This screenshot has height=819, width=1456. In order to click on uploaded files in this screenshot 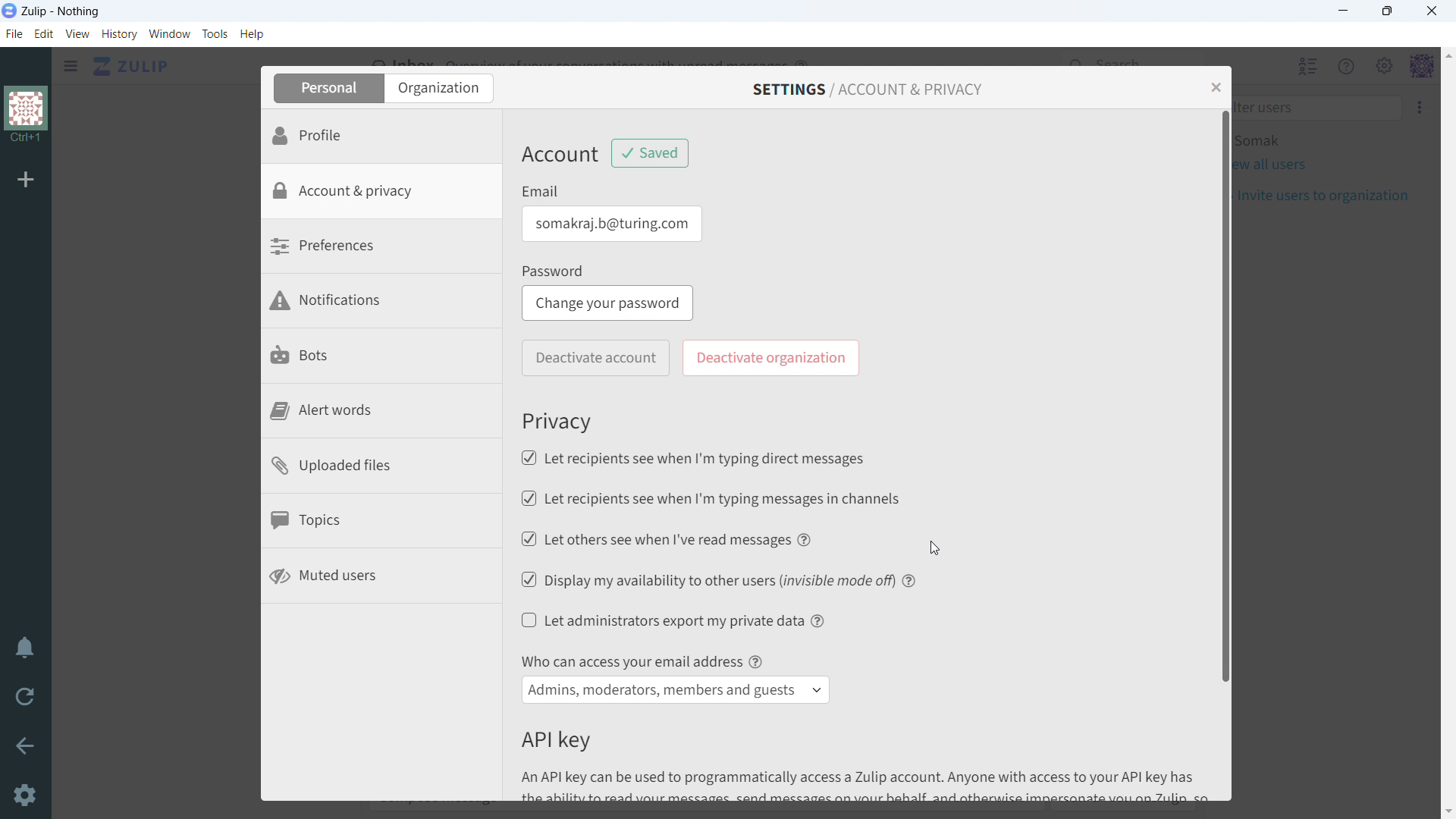, I will do `click(380, 467)`.